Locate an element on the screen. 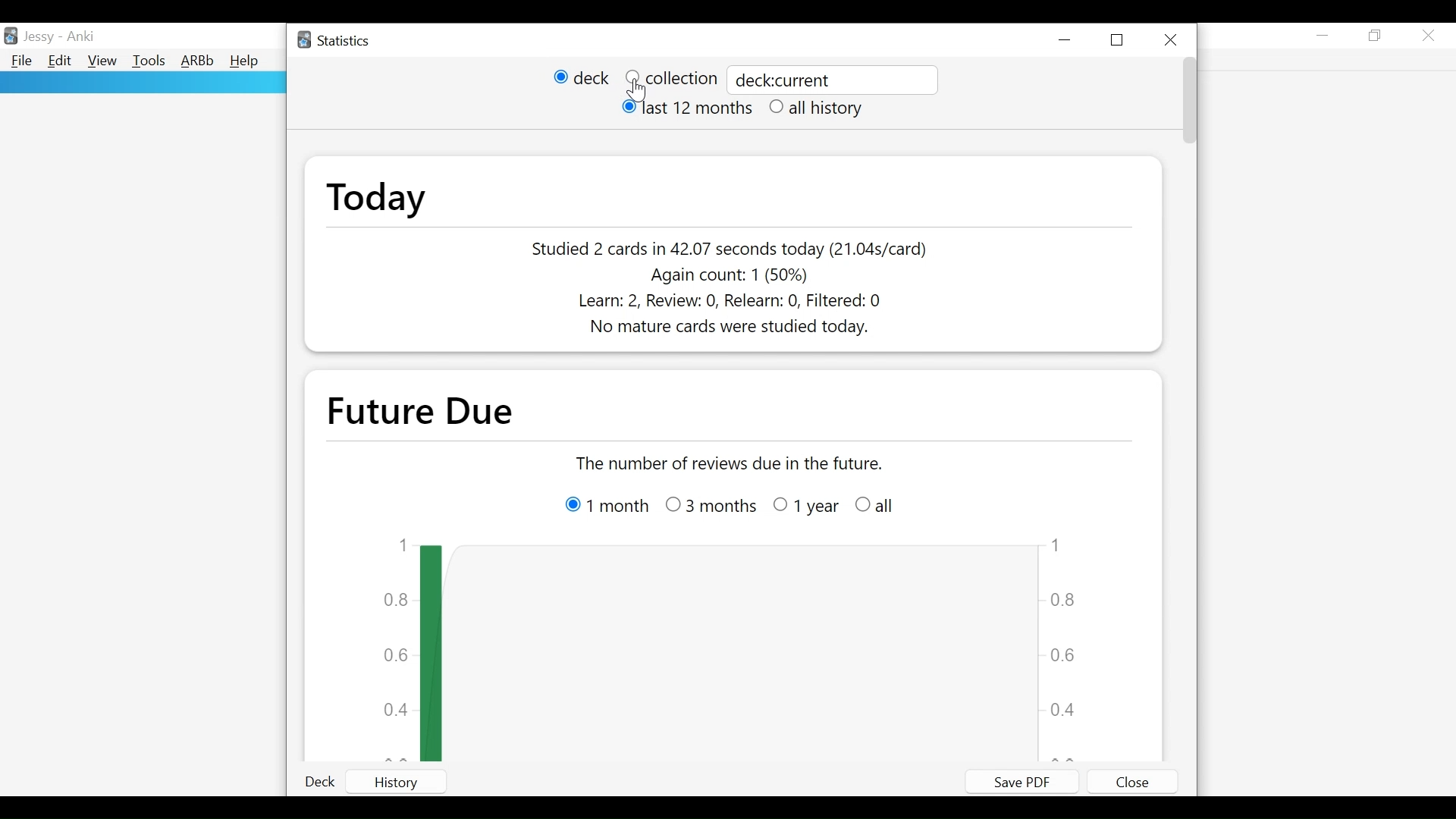  (un)select deck is located at coordinates (581, 79).